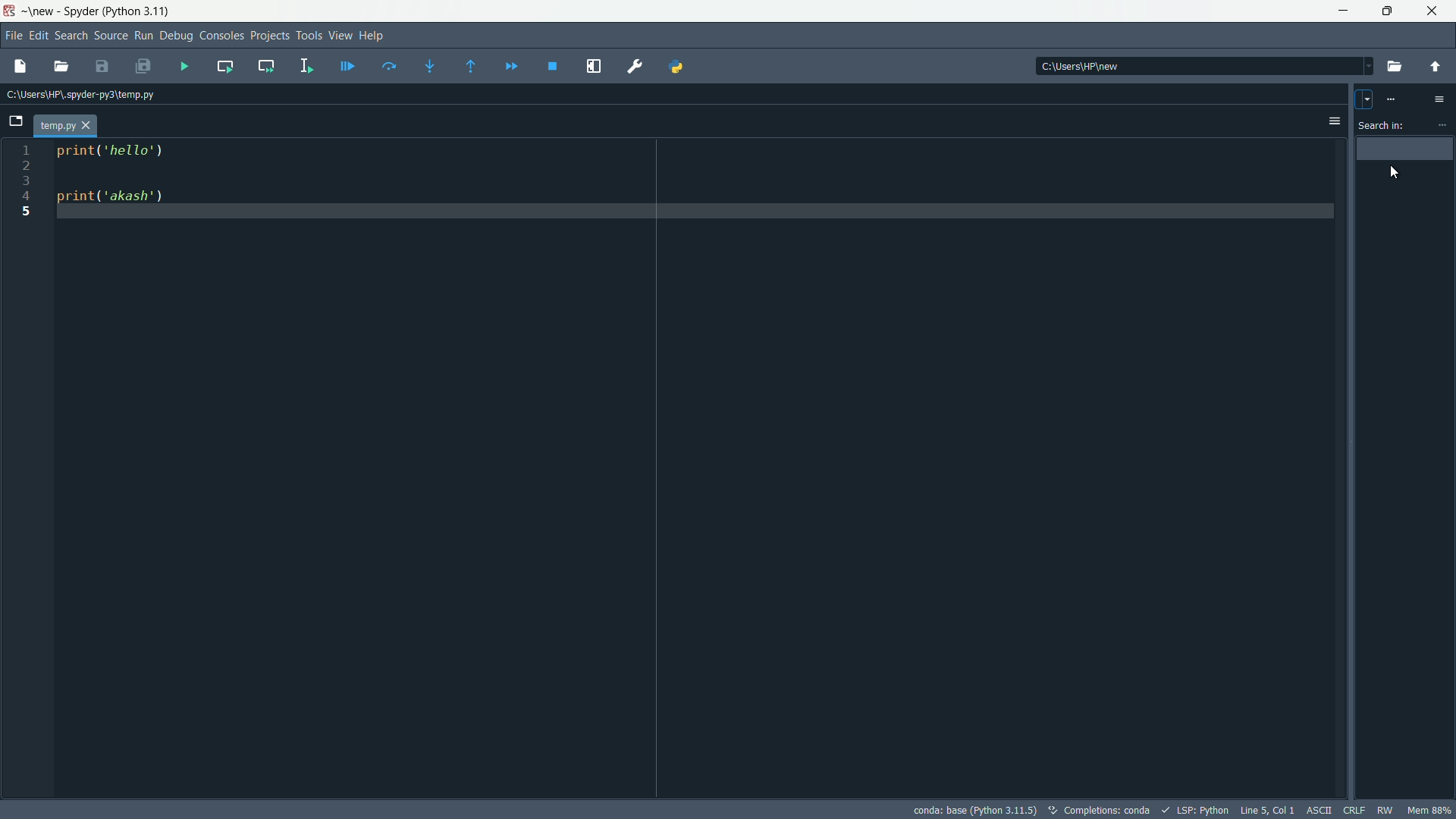  I want to click on Search Menu, so click(69, 34).